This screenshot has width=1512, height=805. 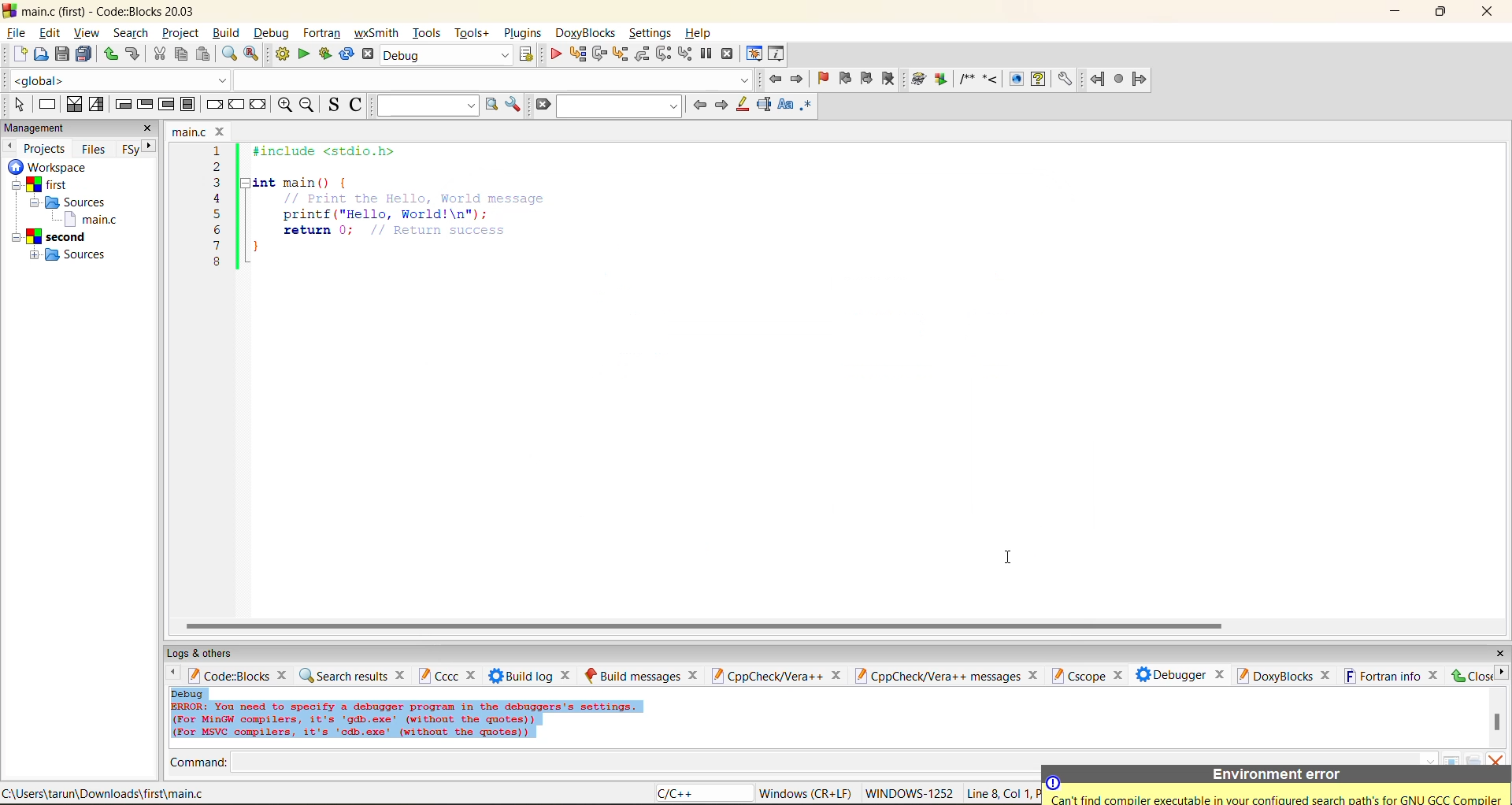 What do you see at coordinates (325, 54) in the screenshot?
I see `build and run` at bounding box center [325, 54].